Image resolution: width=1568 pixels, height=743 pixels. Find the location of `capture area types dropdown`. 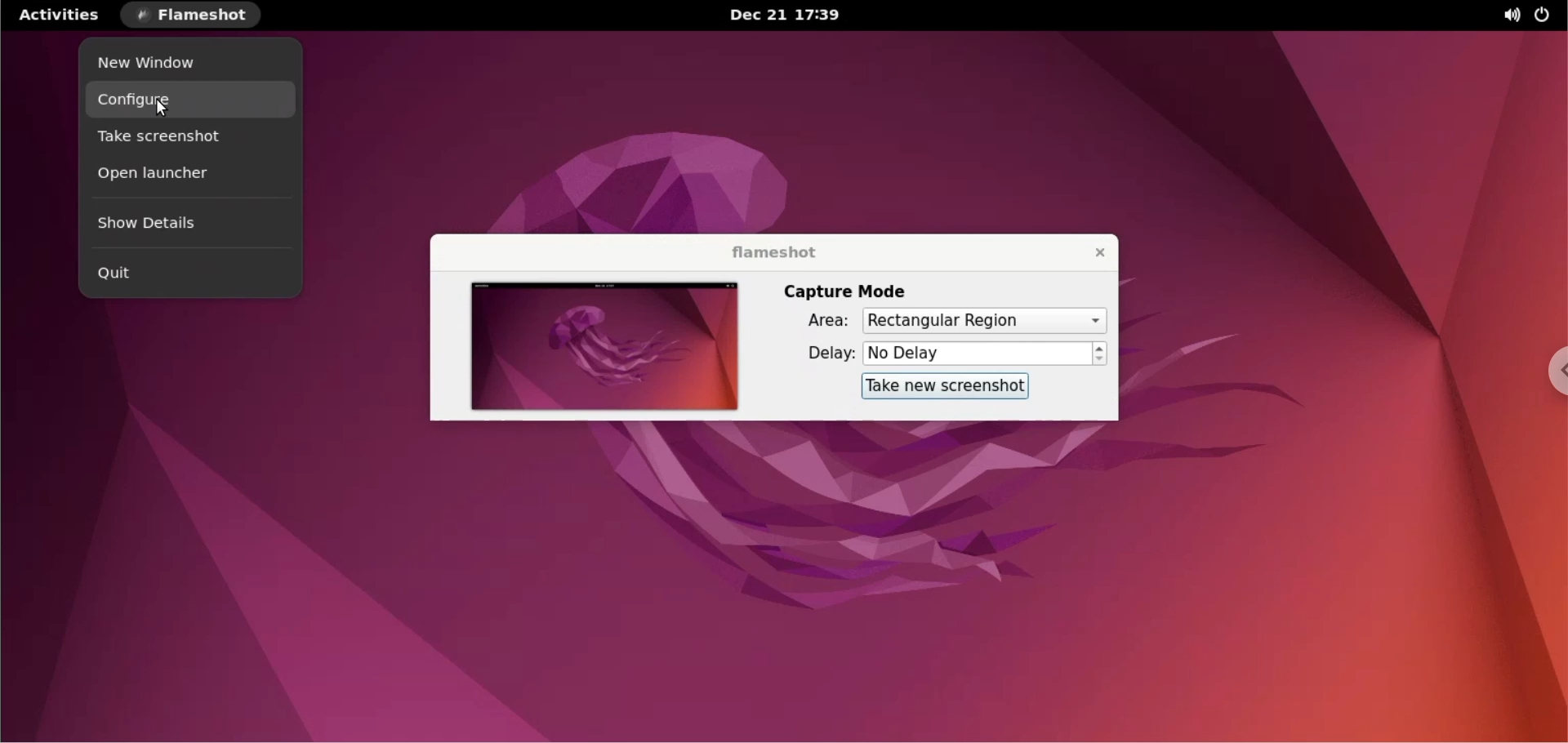

capture area types dropdown is located at coordinates (984, 320).